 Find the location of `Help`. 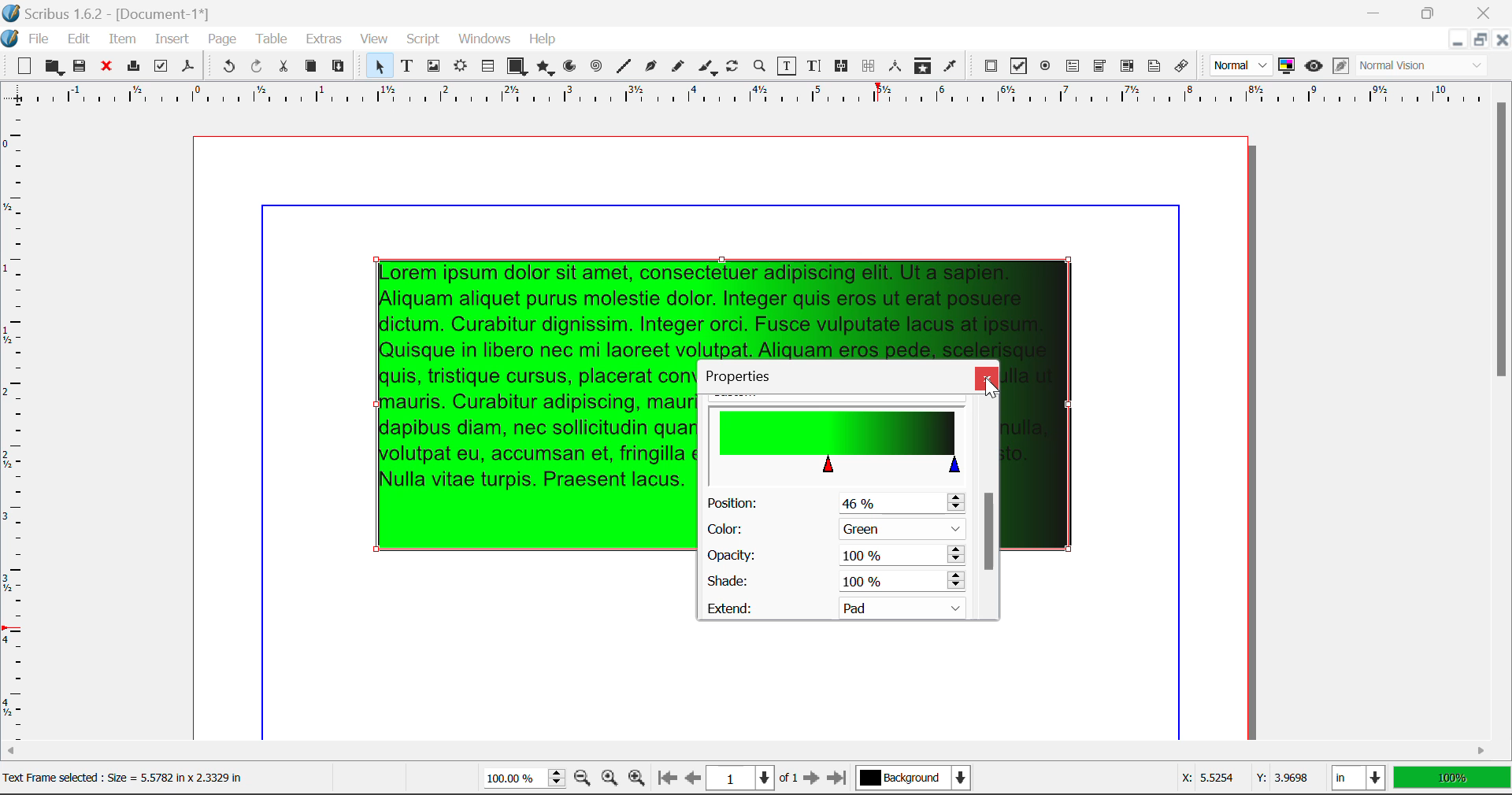

Help is located at coordinates (543, 39).